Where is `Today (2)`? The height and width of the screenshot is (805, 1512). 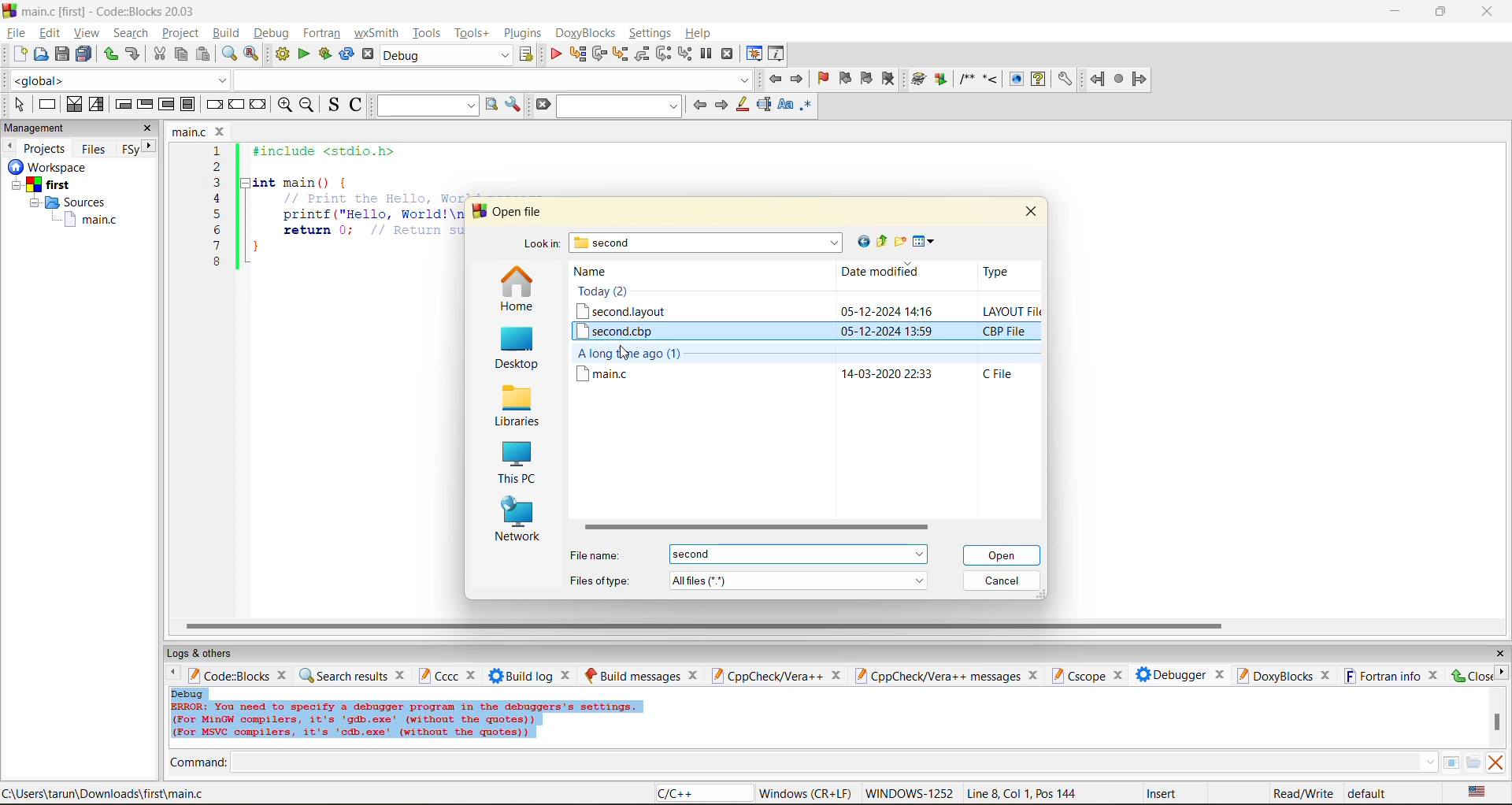 Today (2) is located at coordinates (608, 291).